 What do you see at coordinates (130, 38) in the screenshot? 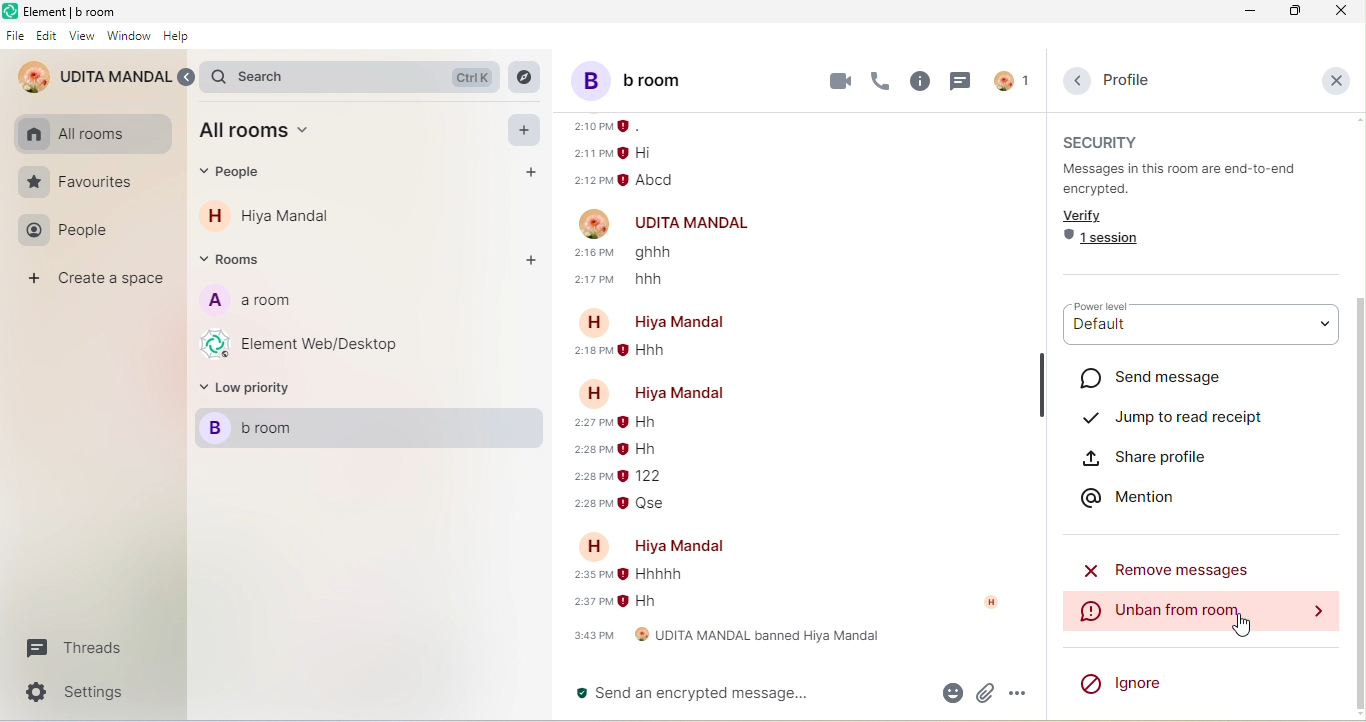
I see `window` at bounding box center [130, 38].